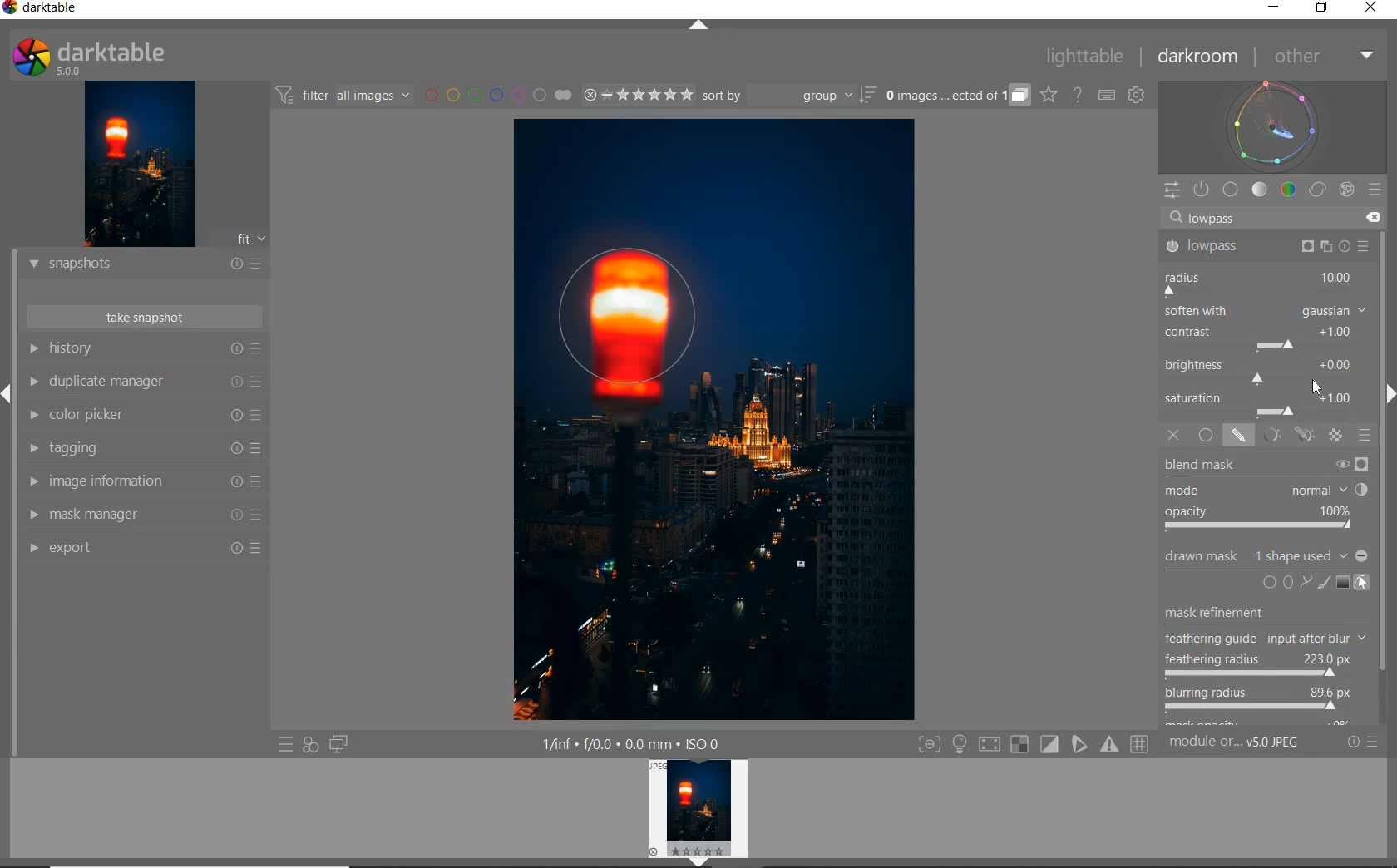 This screenshot has height=868, width=1397. What do you see at coordinates (1107, 95) in the screenshot?
I see `SET KEYBOARD SHORTCUTS` at bounding box center [1107, 95].